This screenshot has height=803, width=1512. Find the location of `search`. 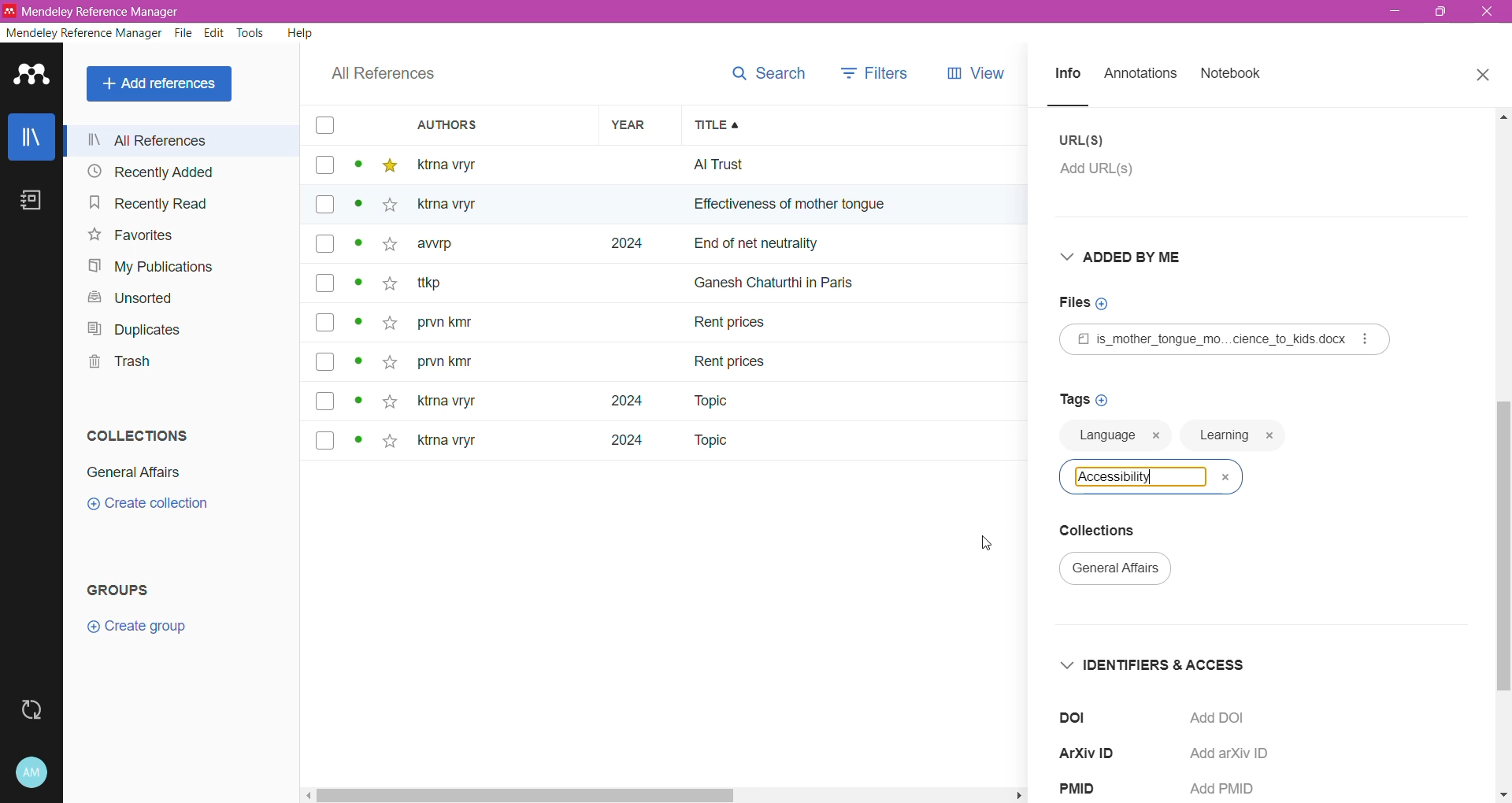

search is located at coordinates (766, 73).